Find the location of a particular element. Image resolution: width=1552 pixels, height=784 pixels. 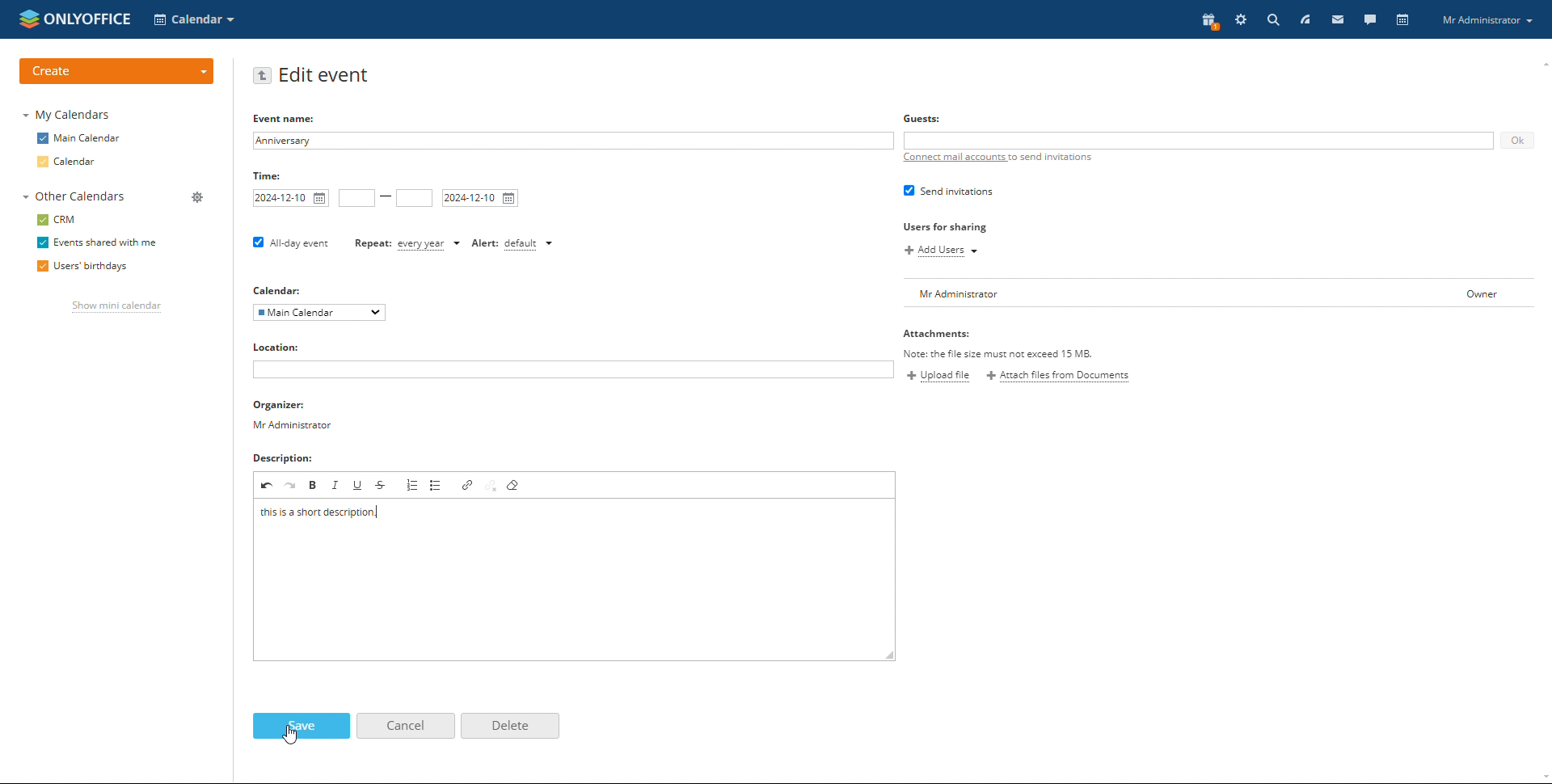

search is located at coordinates (1272, 19).